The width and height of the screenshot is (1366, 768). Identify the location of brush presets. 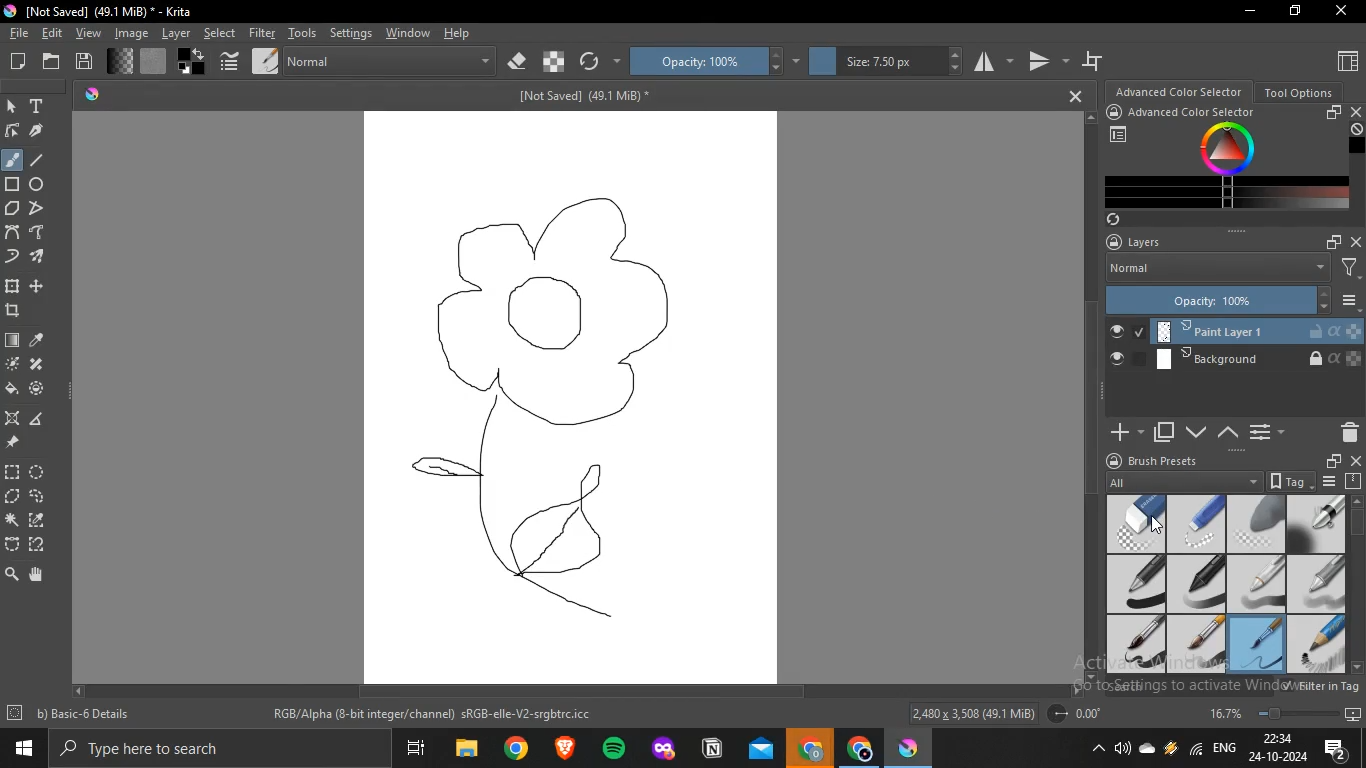
(1165, 460).